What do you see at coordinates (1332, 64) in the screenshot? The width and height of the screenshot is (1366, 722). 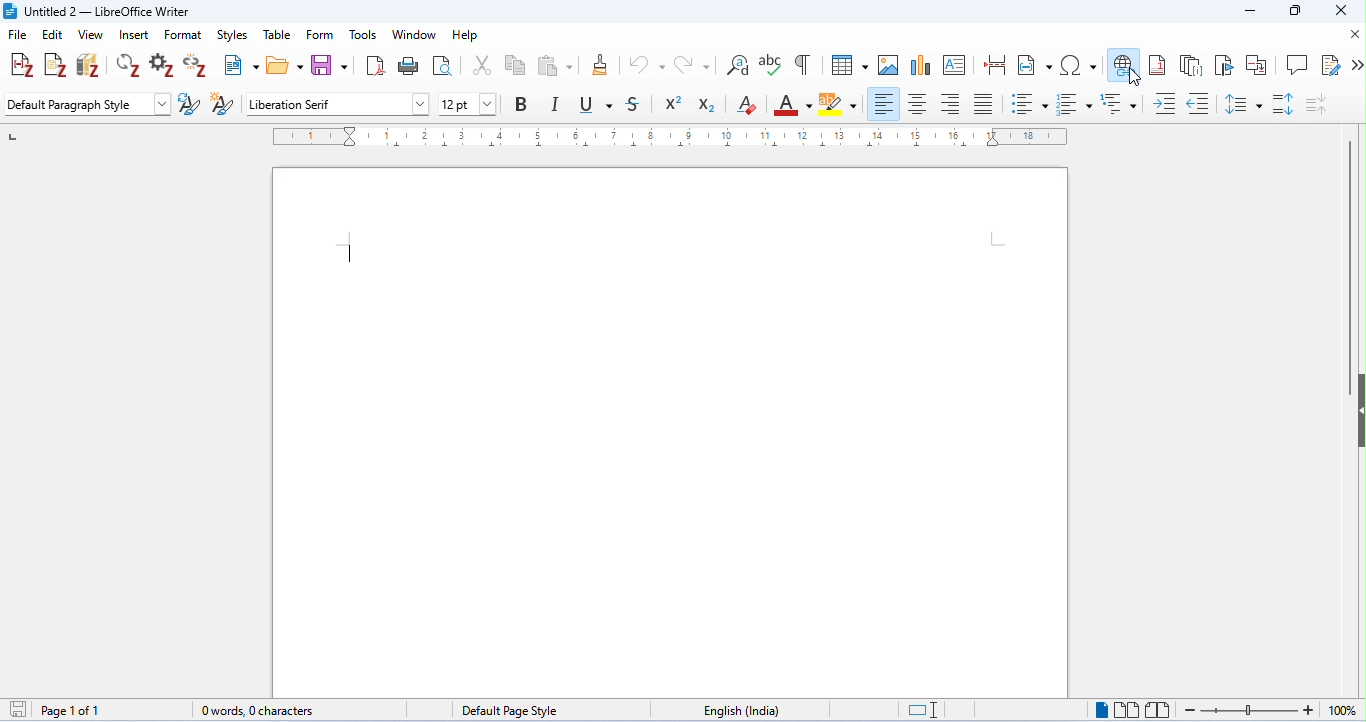 I see `show track changes function` at bounding box center [1332, 64].